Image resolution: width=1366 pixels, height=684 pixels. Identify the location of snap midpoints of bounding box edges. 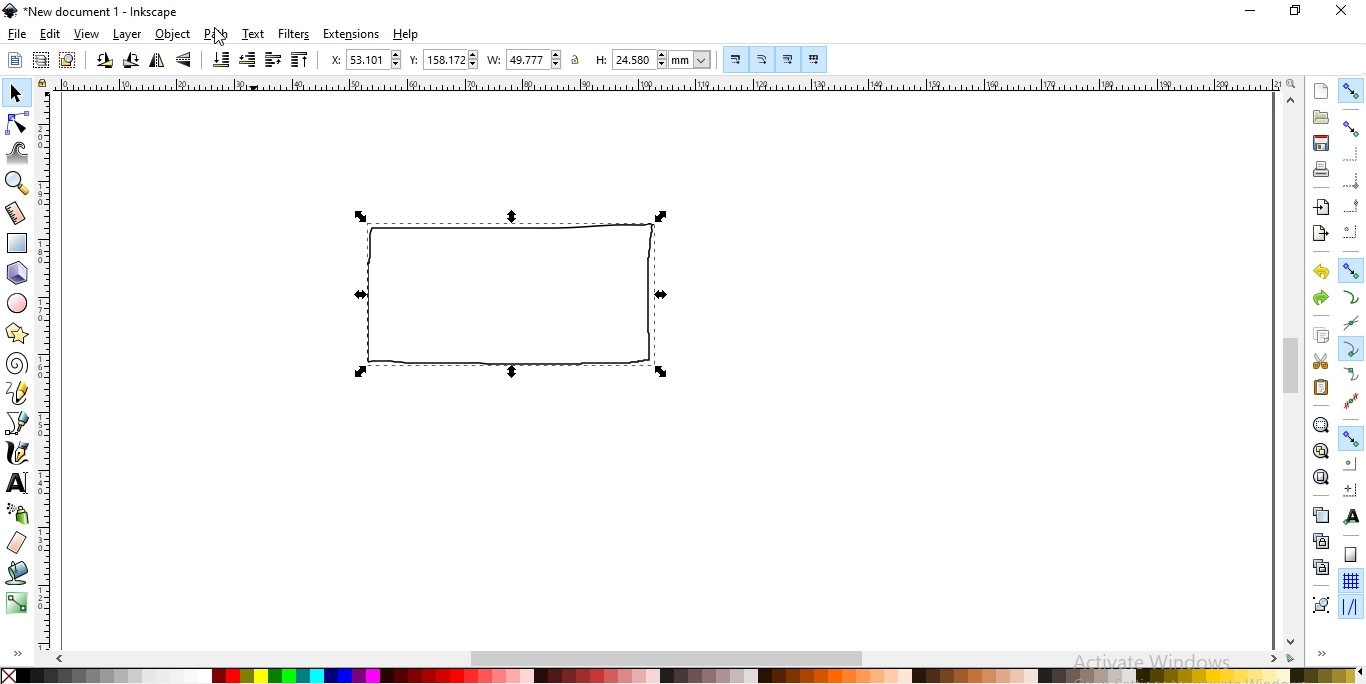
(1352, 204).